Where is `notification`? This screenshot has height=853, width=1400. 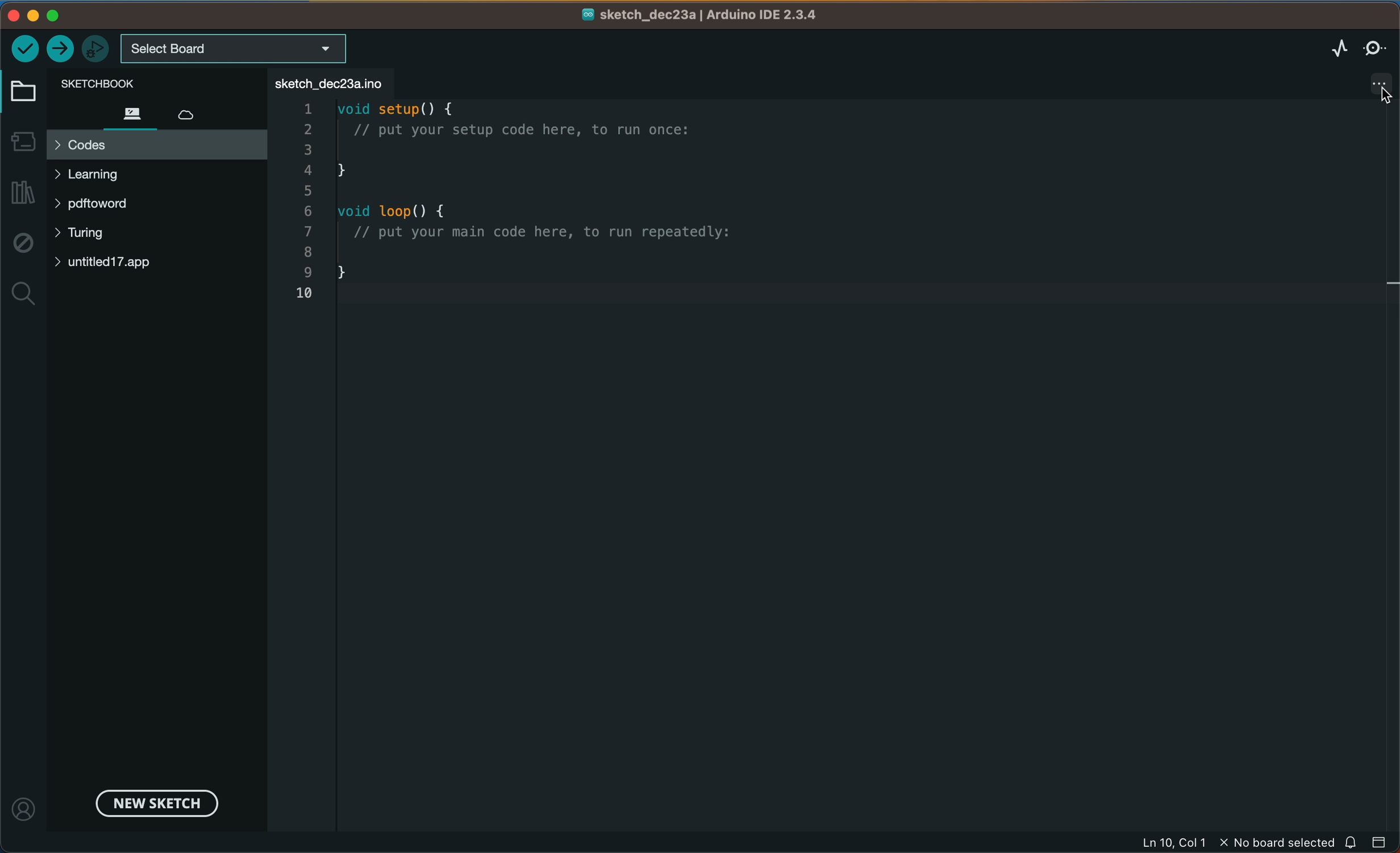 notification is located at coordinates (1352, 842).